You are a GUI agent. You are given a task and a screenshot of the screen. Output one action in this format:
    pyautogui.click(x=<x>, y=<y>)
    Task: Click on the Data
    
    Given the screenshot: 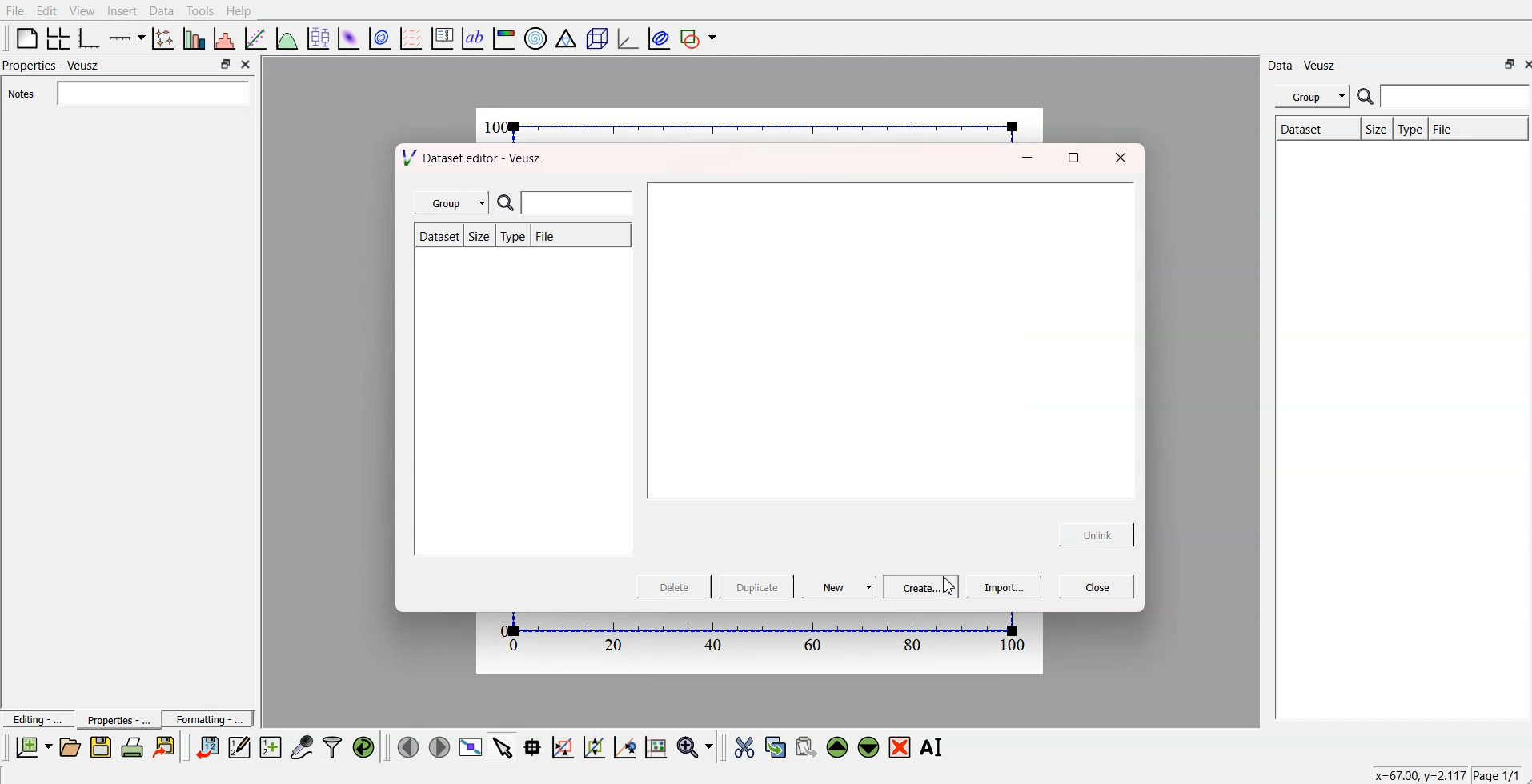 What is the action you would take?
    pyautogui.click(x=162, y=10)
    